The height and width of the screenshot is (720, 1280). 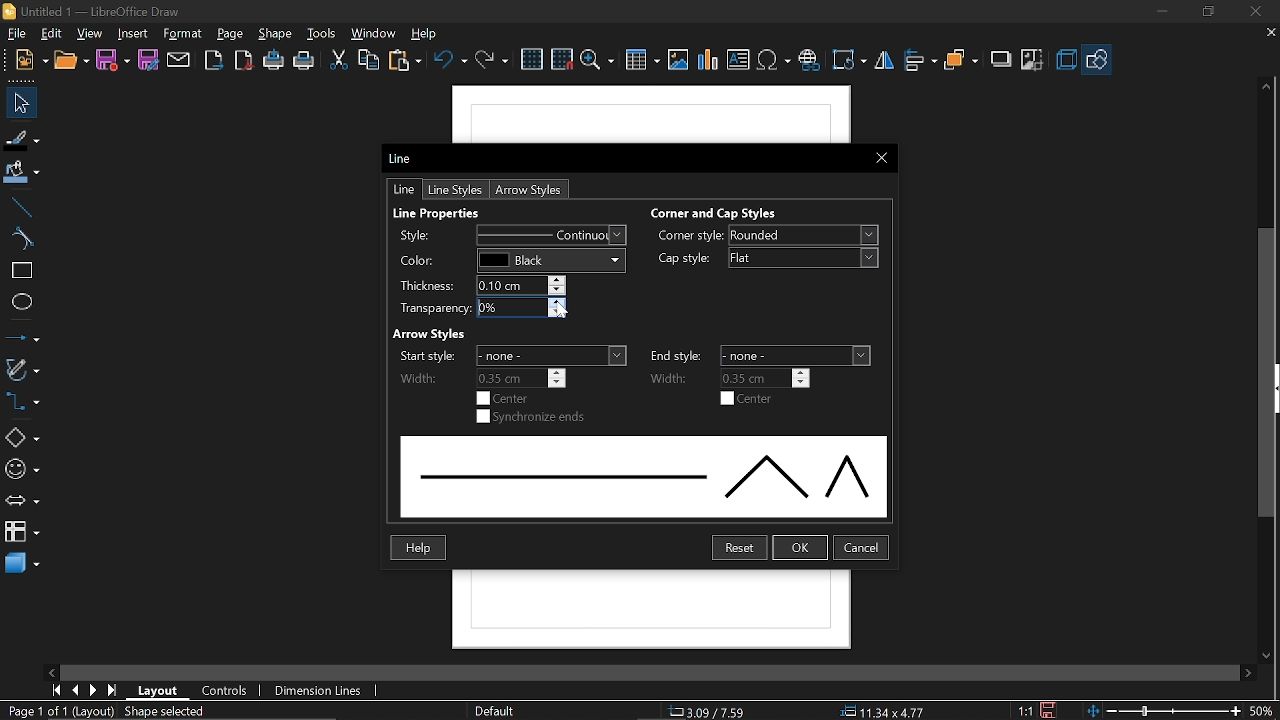 I want to click on go to last page, so click(x=114, y=691).